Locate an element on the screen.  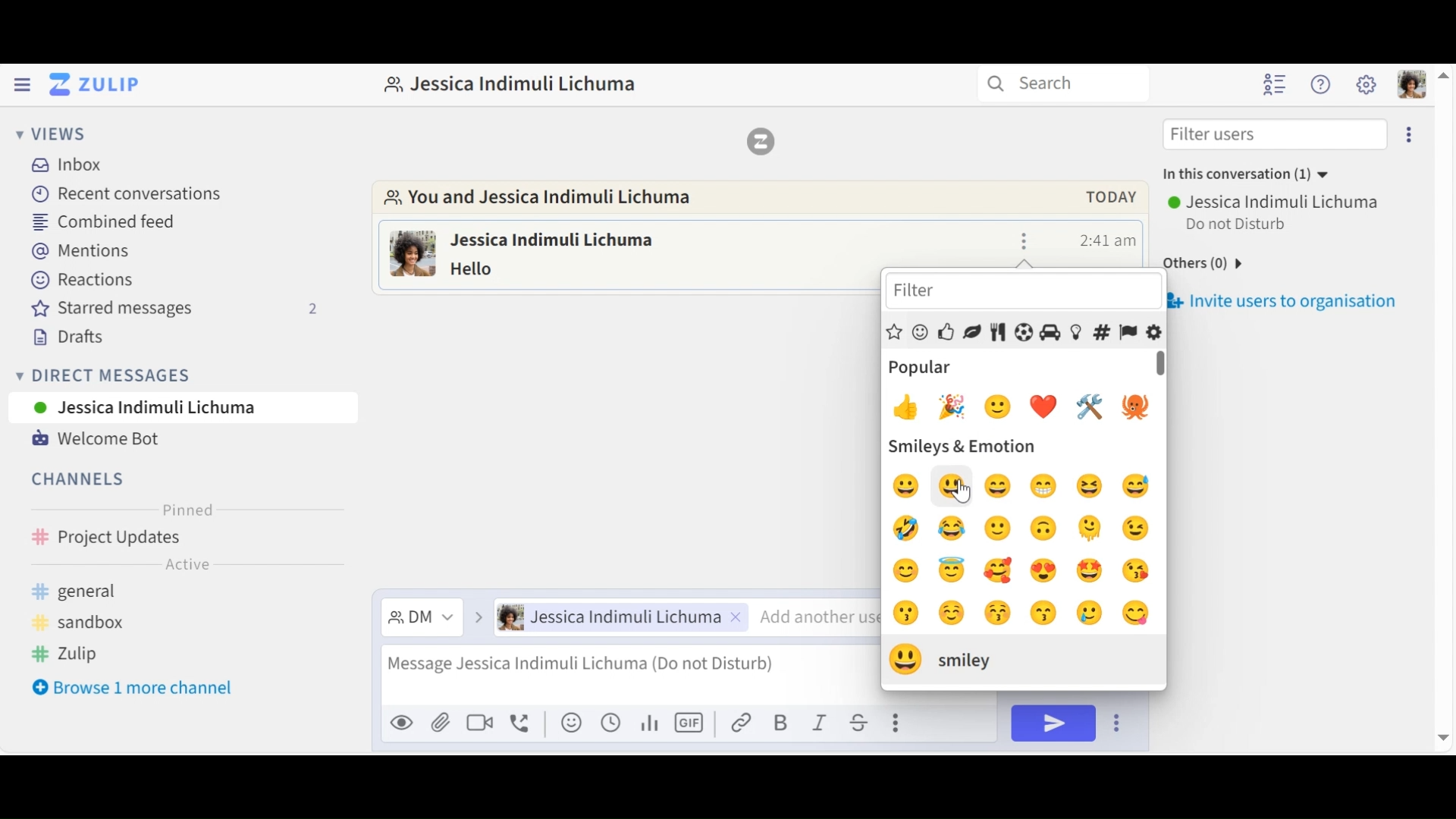
celebration is located at coordinates (951, 408).